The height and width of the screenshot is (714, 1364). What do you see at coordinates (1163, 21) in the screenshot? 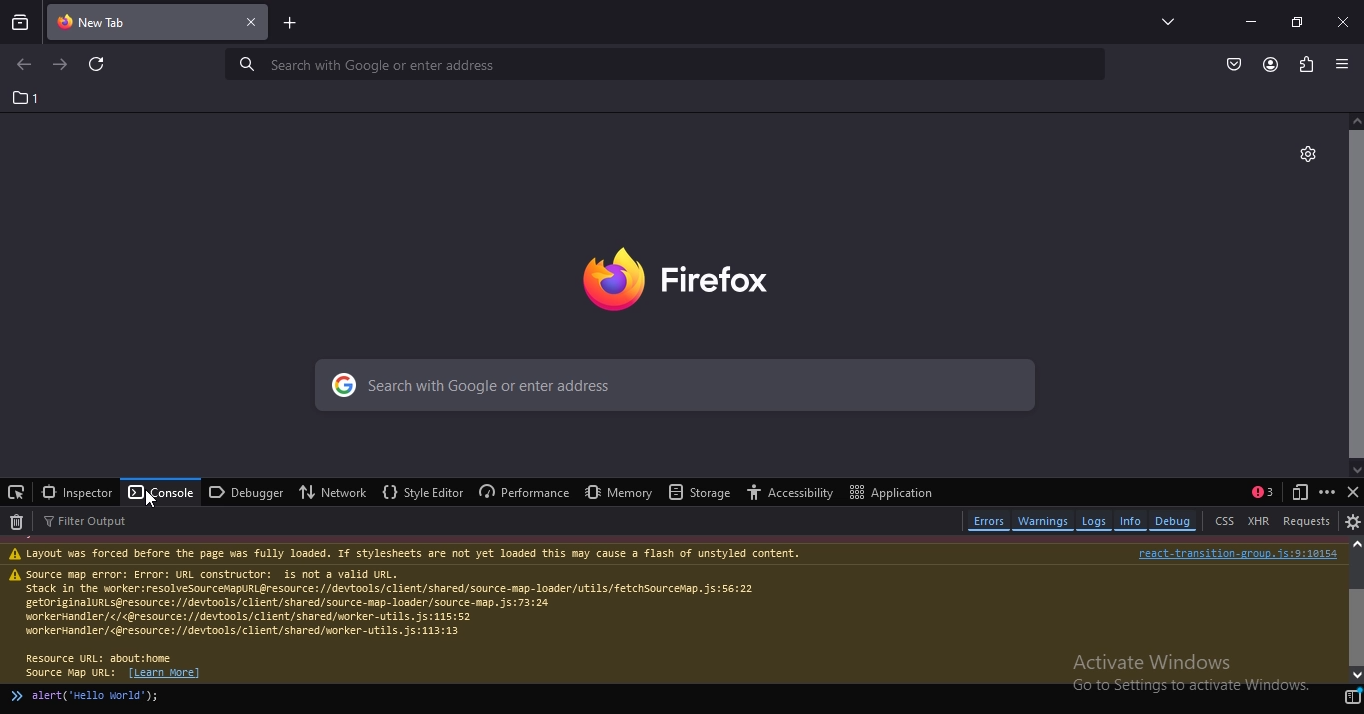
I see `list all tabs` at bounding box center [1163, 21].